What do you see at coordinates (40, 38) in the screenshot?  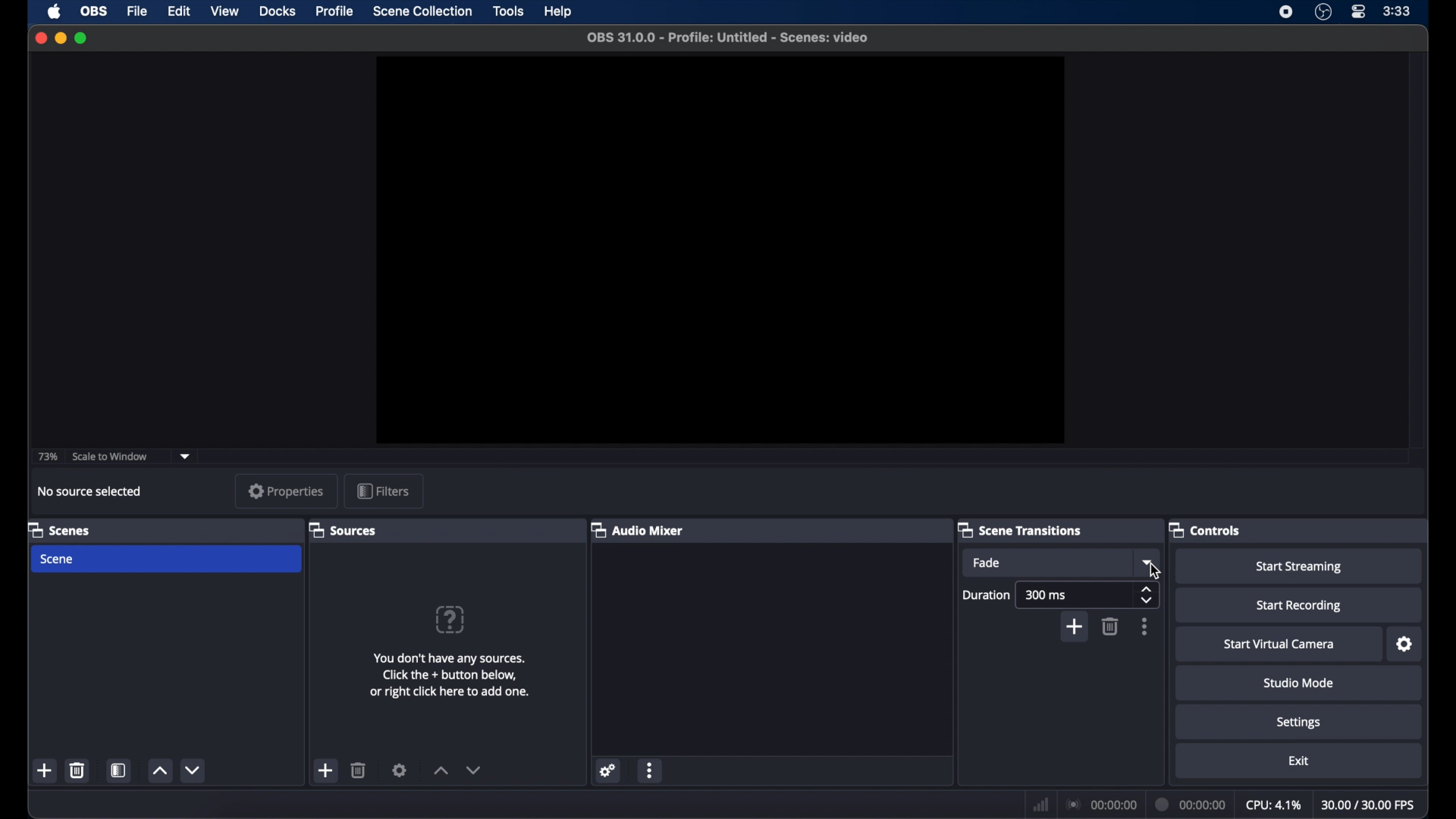 I see `close` at bounding box center [40, 38].